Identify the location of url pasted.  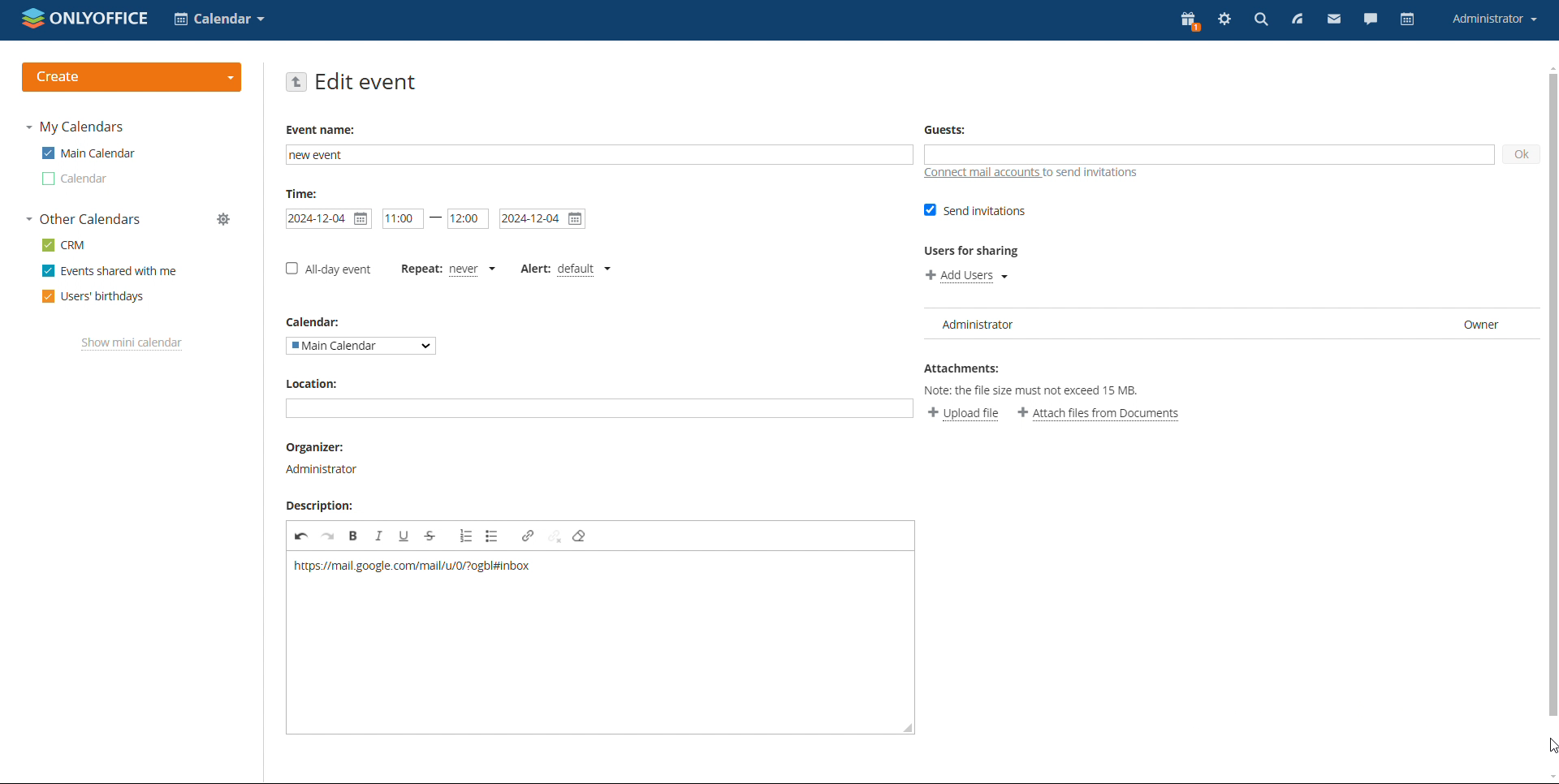
(411, 568).